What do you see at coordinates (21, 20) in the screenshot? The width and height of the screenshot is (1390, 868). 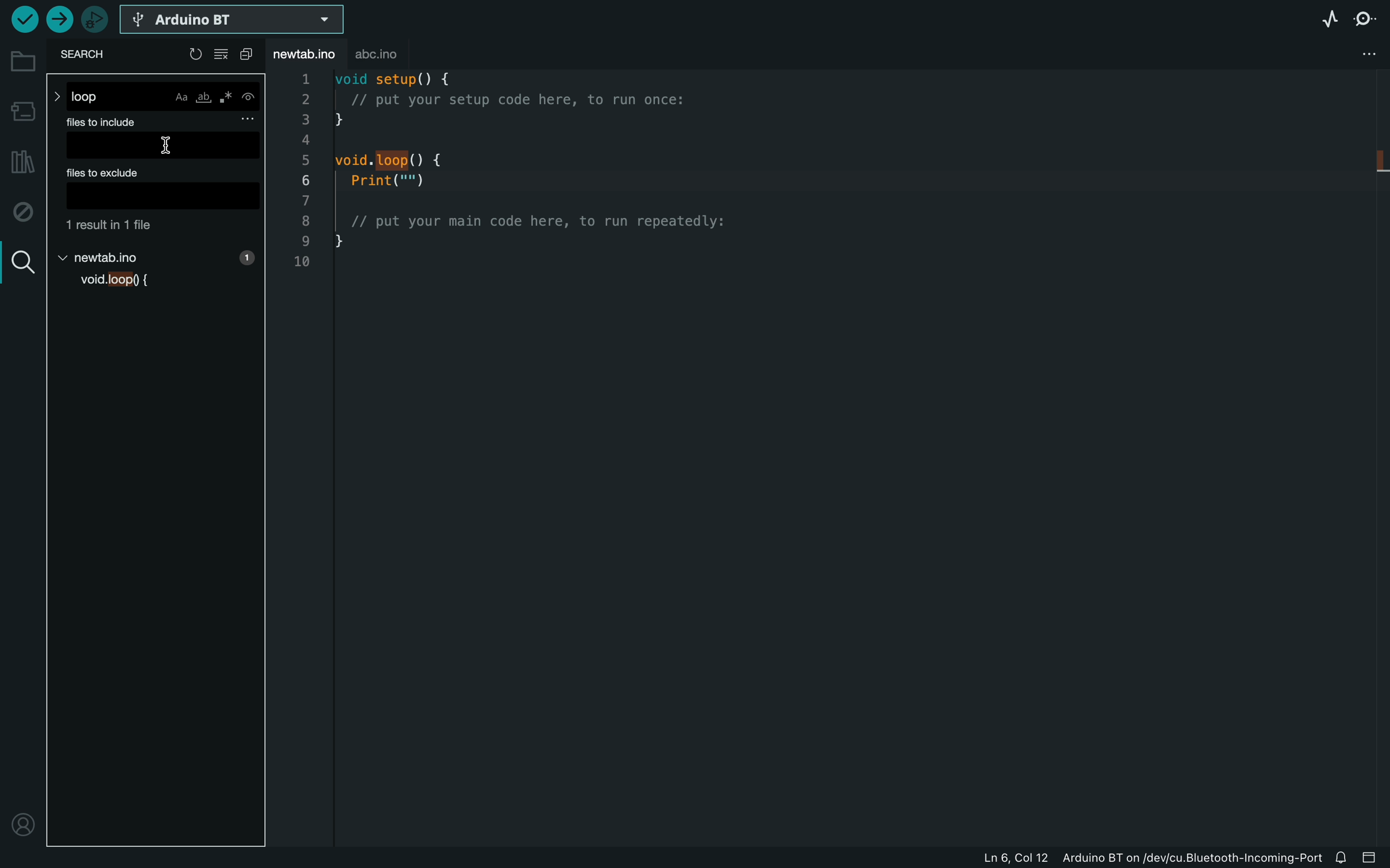 I see `verify` at bounding box center [21, 20].